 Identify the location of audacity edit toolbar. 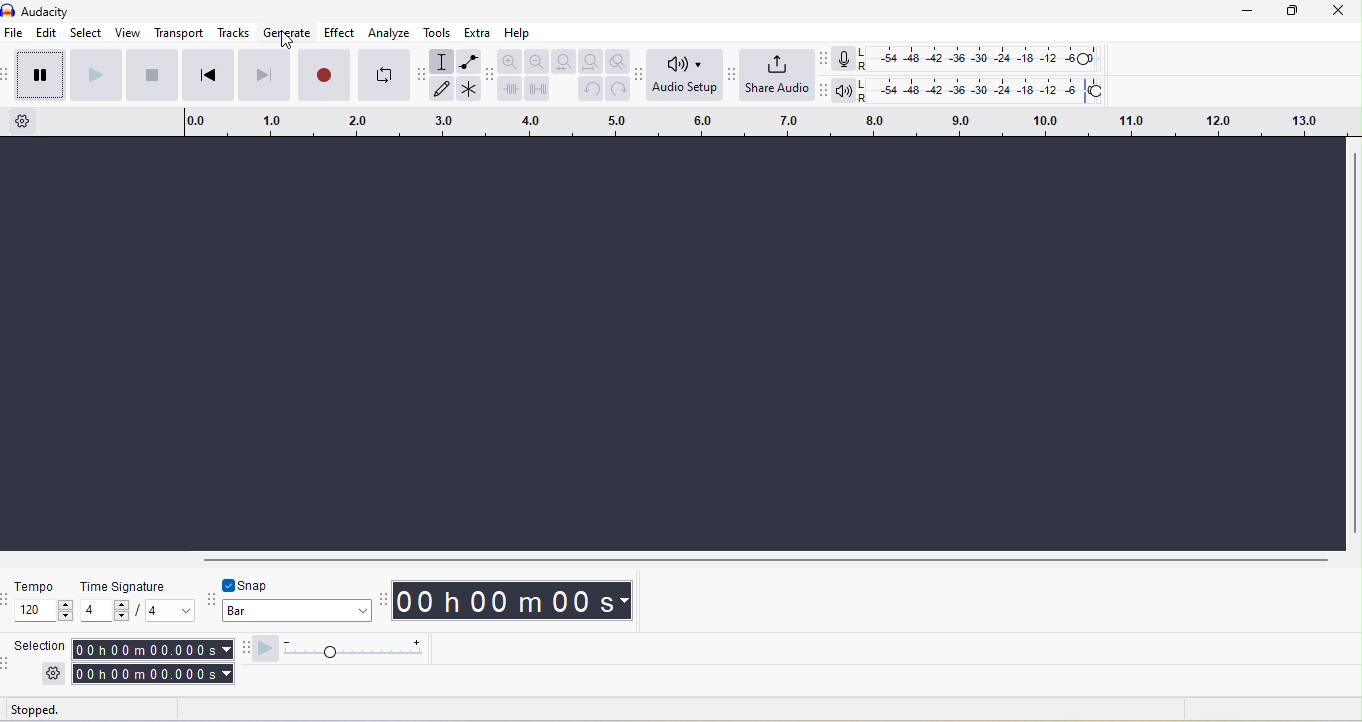
(491, 74).